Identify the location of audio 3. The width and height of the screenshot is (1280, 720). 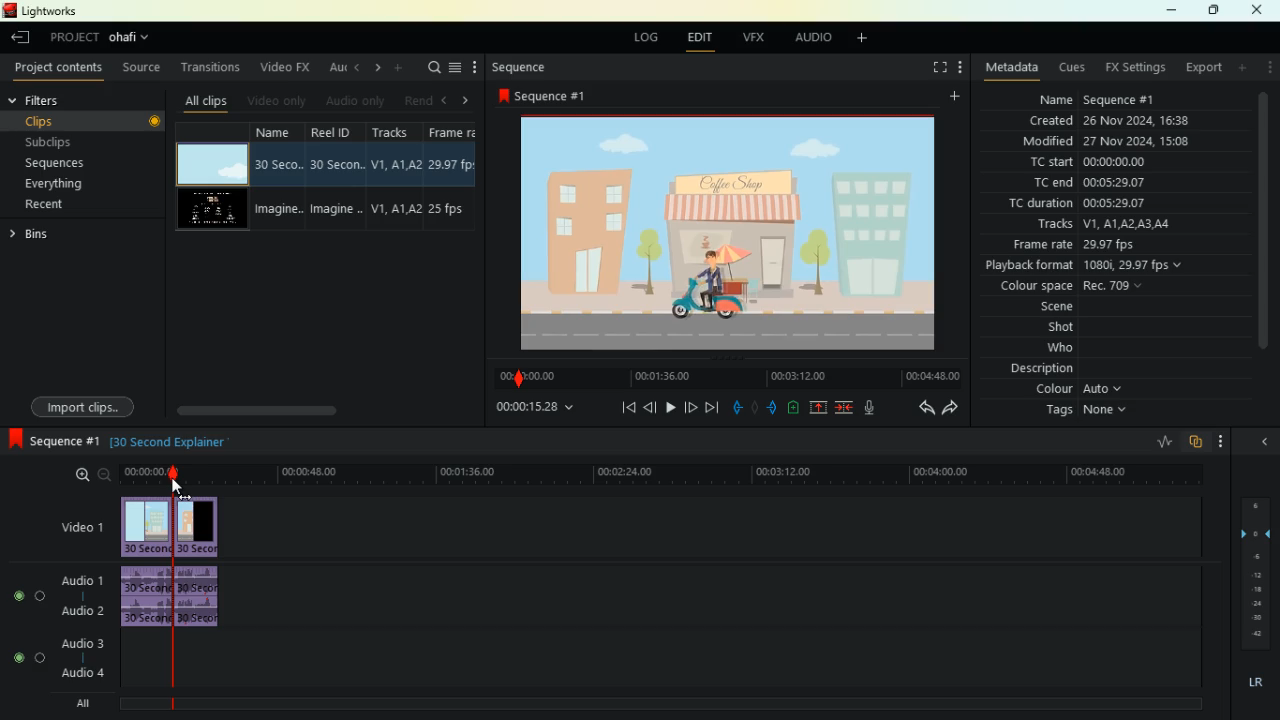
(74, 641).